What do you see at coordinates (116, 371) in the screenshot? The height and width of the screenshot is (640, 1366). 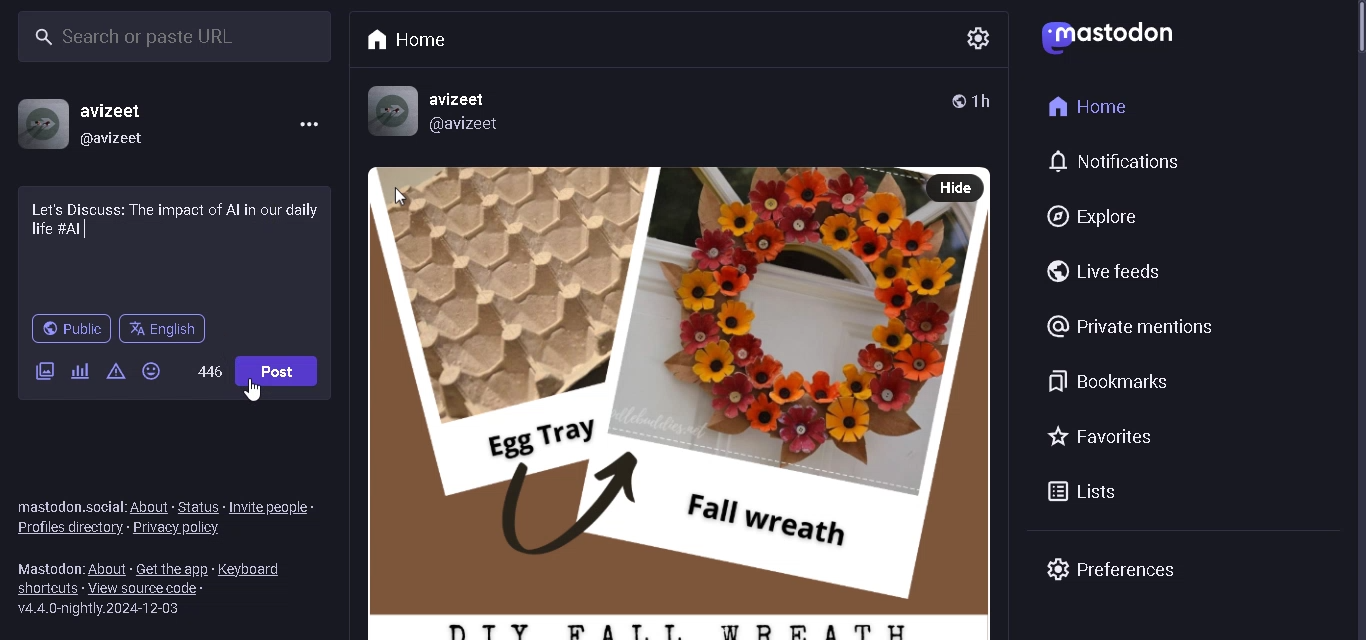 I see `CONTENT WARNING` at bounding box center [116, 371].